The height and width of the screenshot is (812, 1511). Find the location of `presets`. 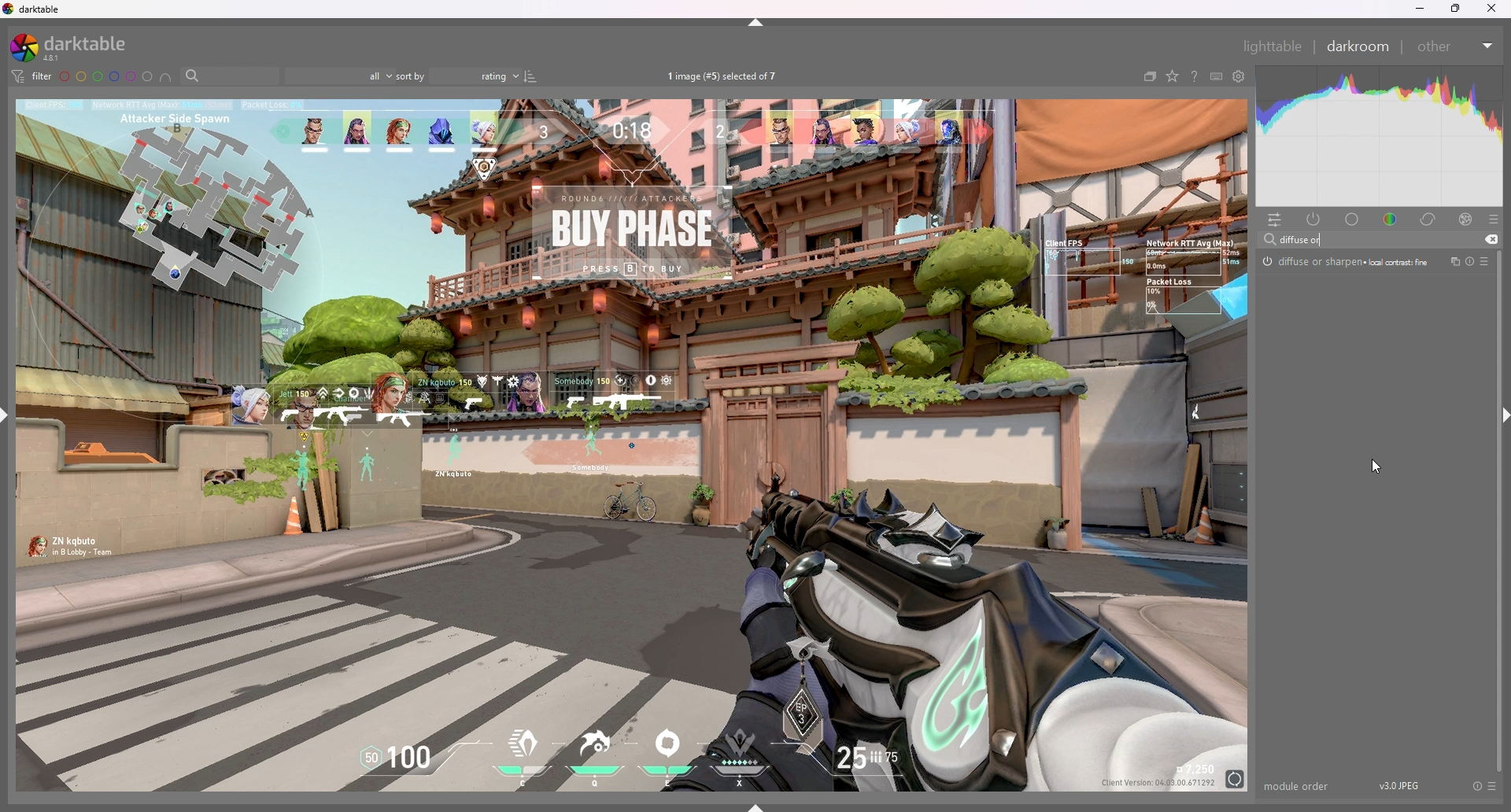

presets is located at coordinates (1494, 220).